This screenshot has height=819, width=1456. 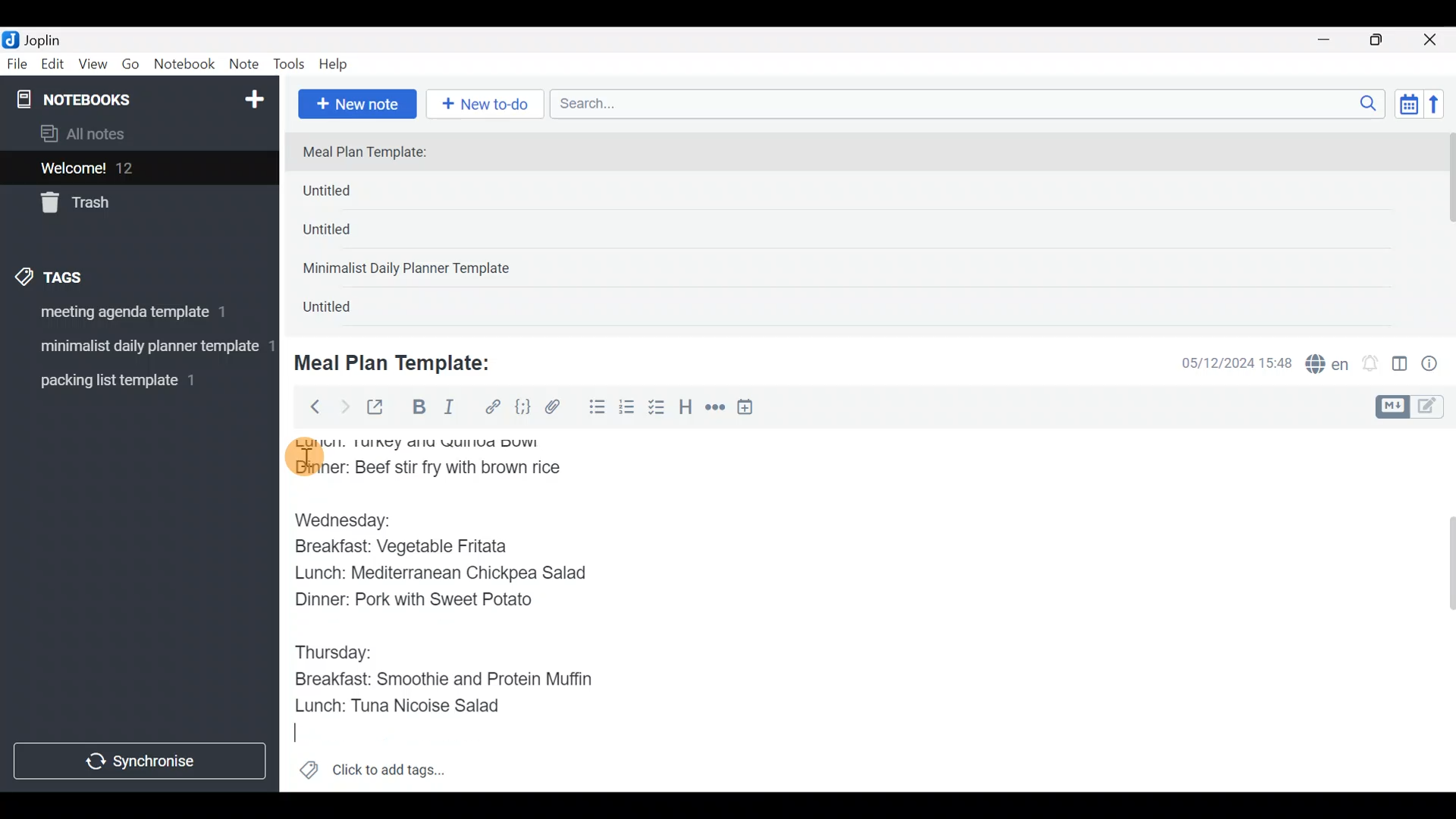 What do you see at coordinates (686, 409) in the screenshot?
I see `Heading` at bounding box center [686, 409].